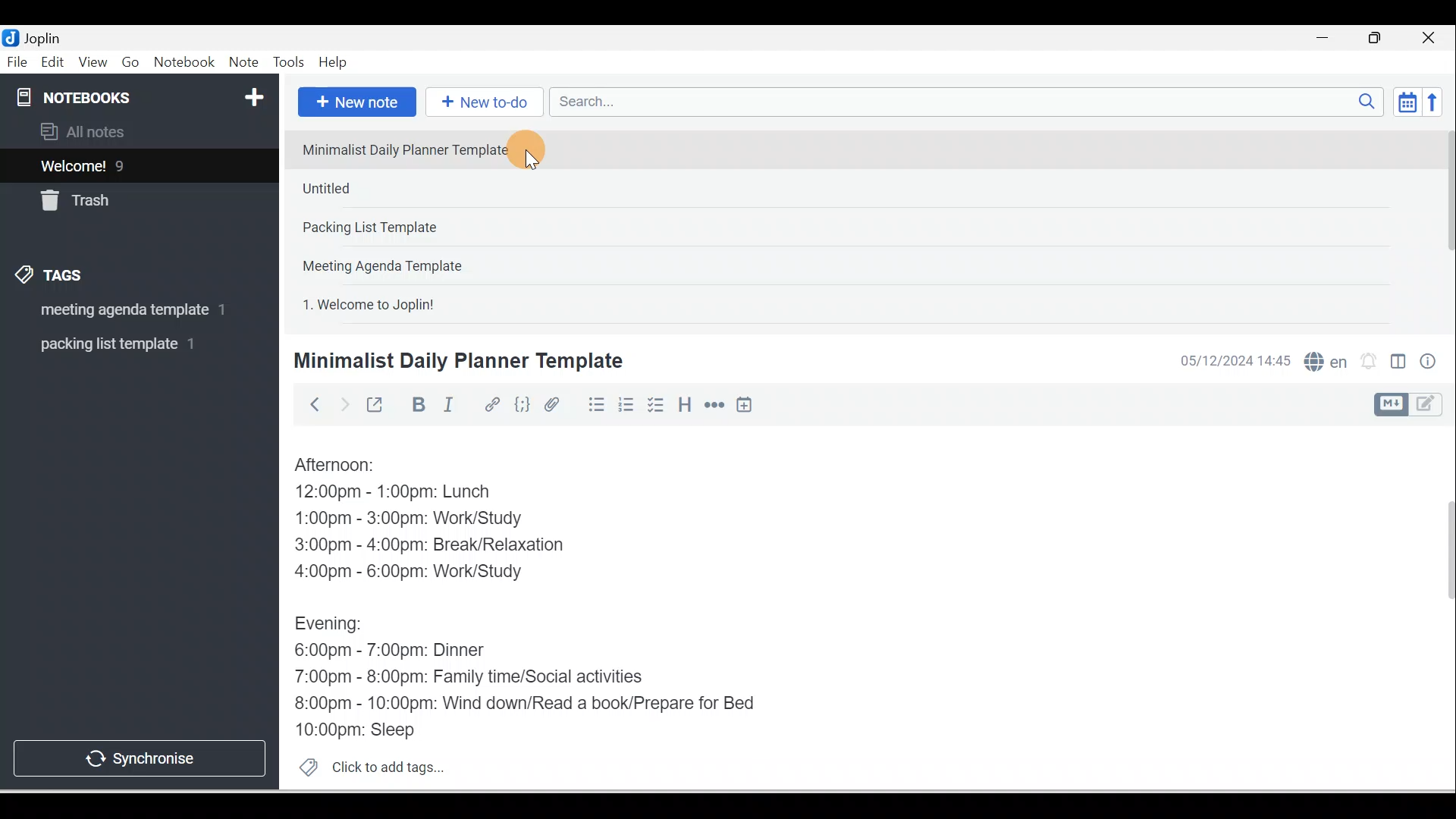 This screenshot has height=819, width=1456. I want to click on Close, so click(1432, 38).